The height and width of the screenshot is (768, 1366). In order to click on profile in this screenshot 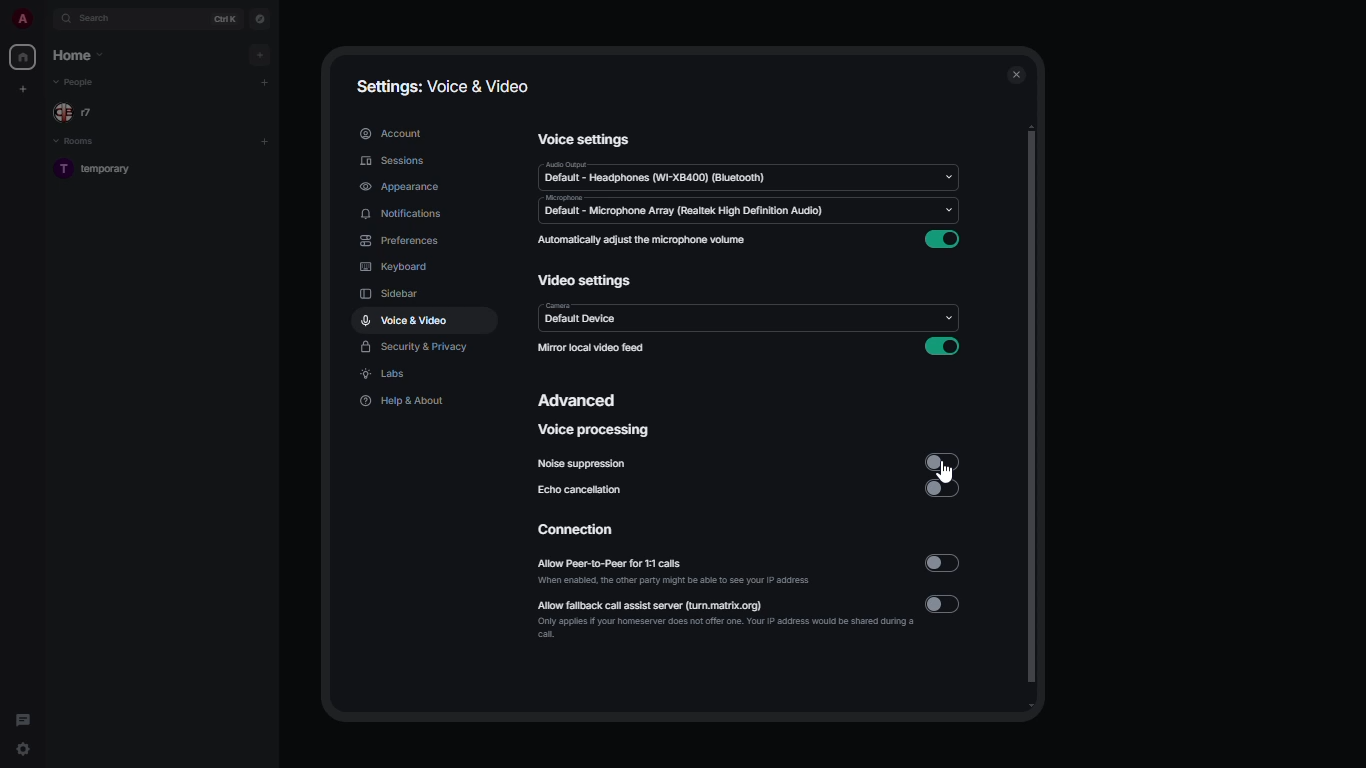, I will do `click(24, 18)`.